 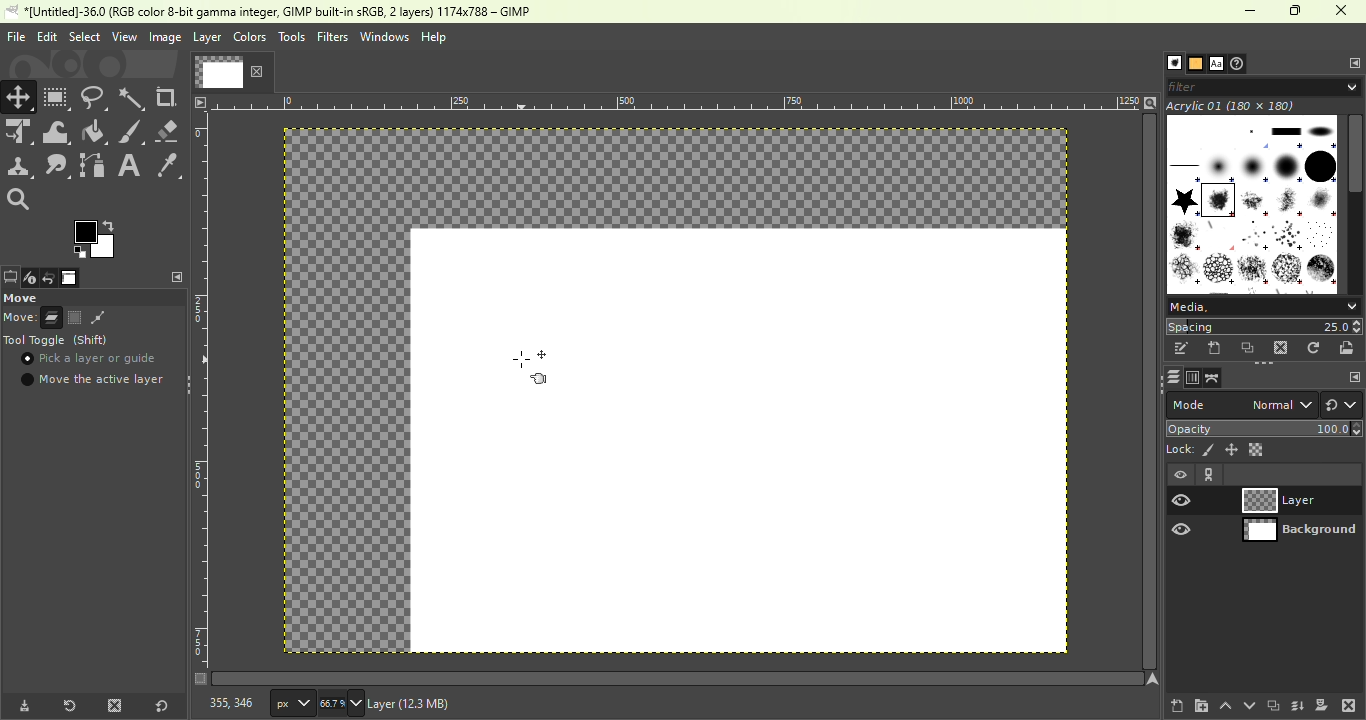 I want to click on untitled -36.0 (rgb color 8-bit gamma integer , gimp built in stgb, 1 layer) 1174x788 - gimp, so click(x=274, y=12).